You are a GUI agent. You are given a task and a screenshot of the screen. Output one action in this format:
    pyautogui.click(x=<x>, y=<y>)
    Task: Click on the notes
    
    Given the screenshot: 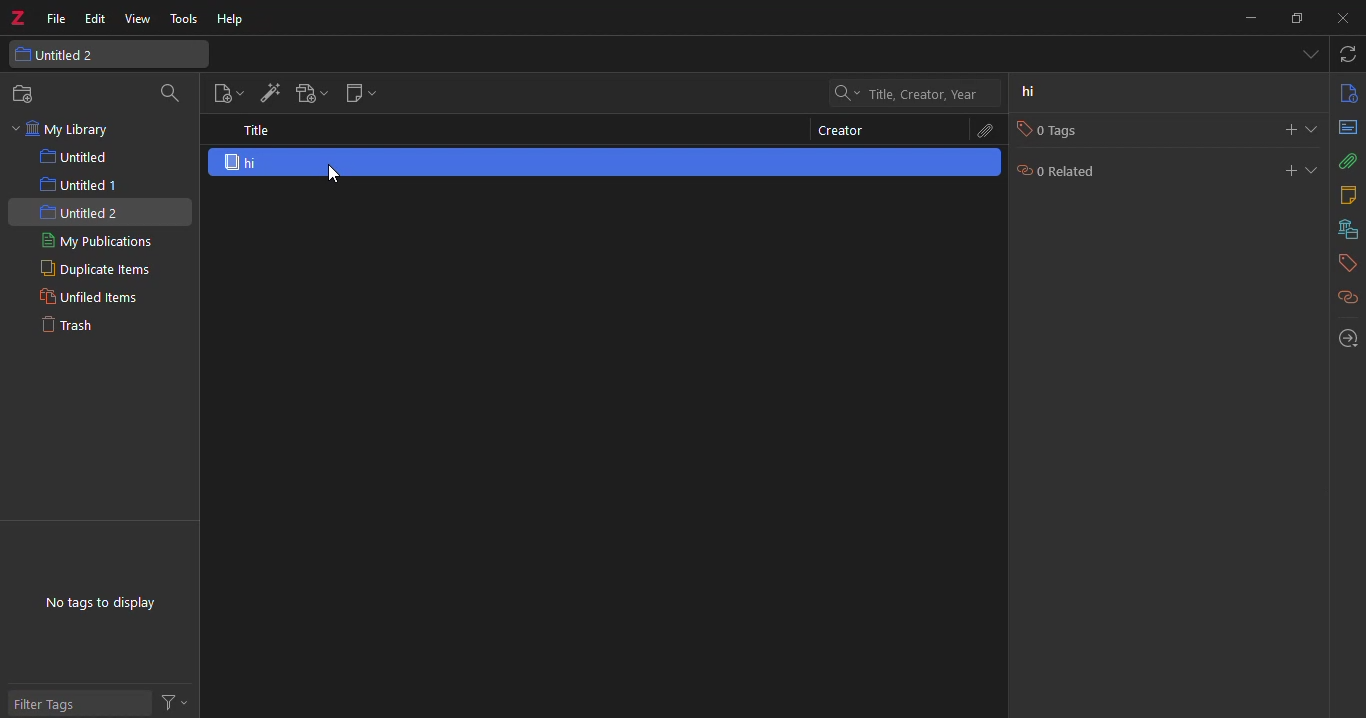 What is the action you would take?
    pyautogui.click(x=1349, y=194)
    